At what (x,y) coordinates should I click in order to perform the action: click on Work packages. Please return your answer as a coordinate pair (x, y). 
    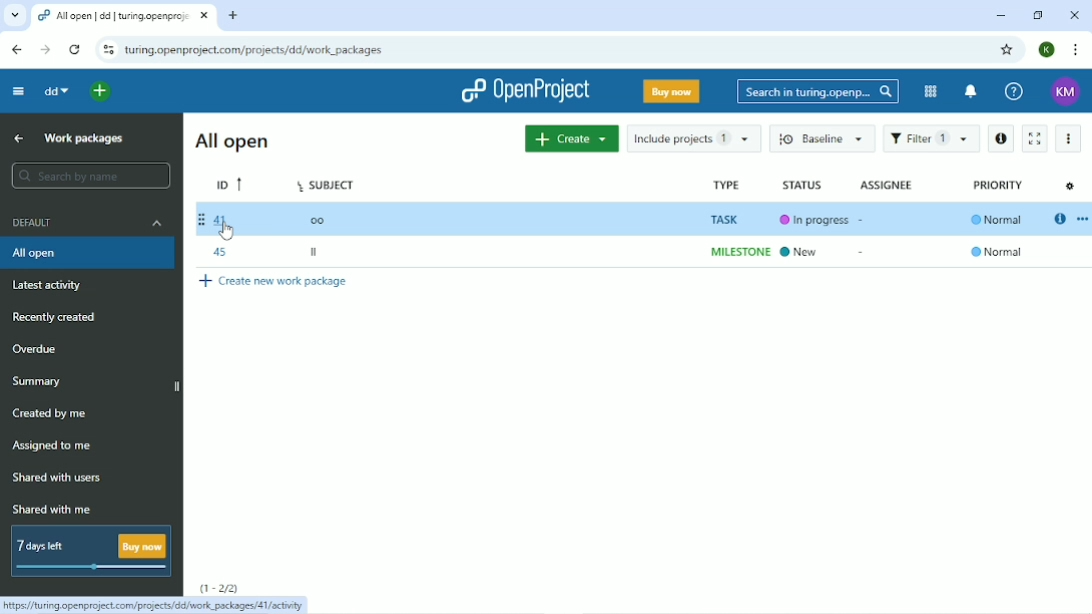
    Looking at the image, I should click on (83, 139).